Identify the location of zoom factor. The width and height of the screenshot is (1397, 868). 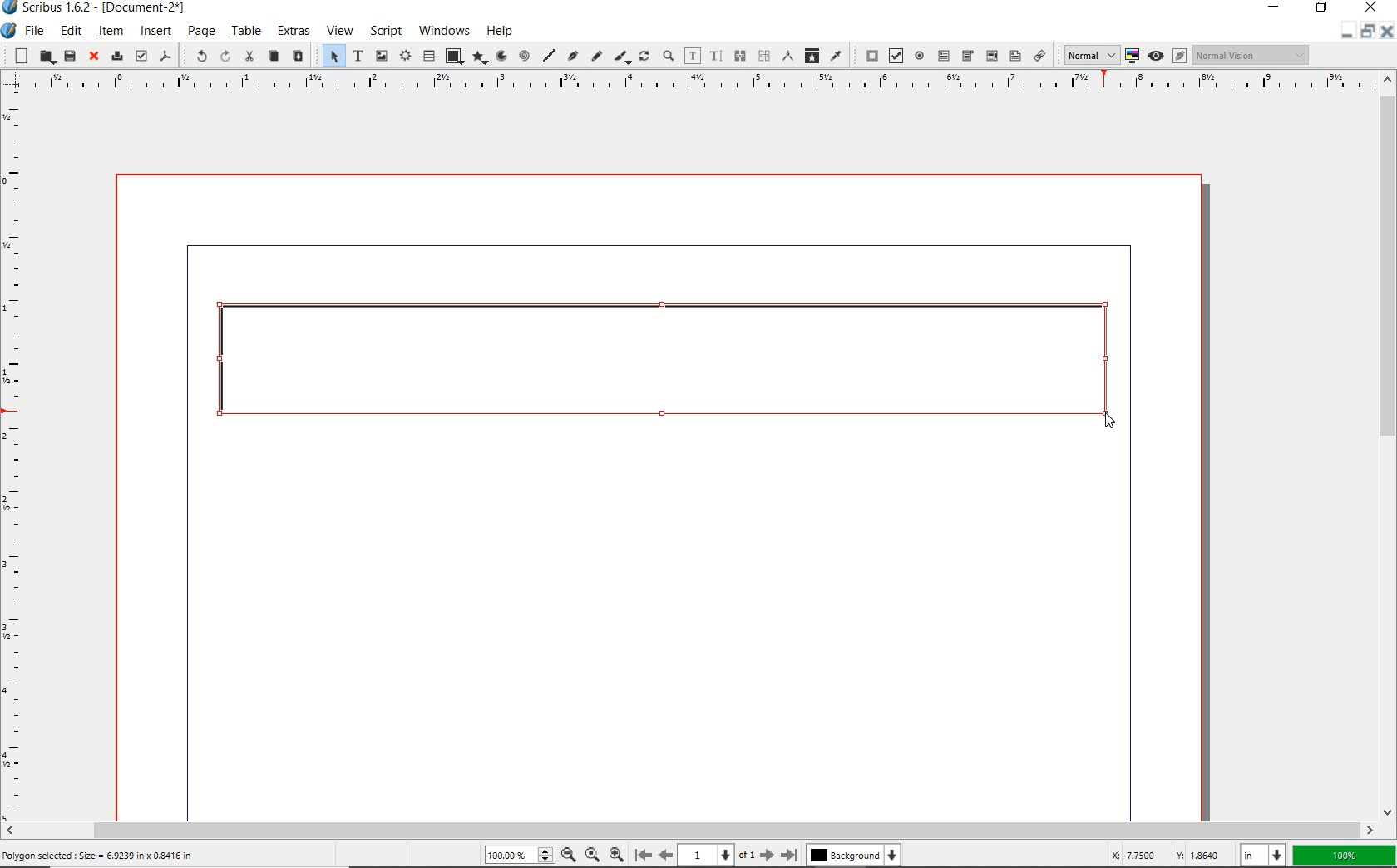
(1344, 856).